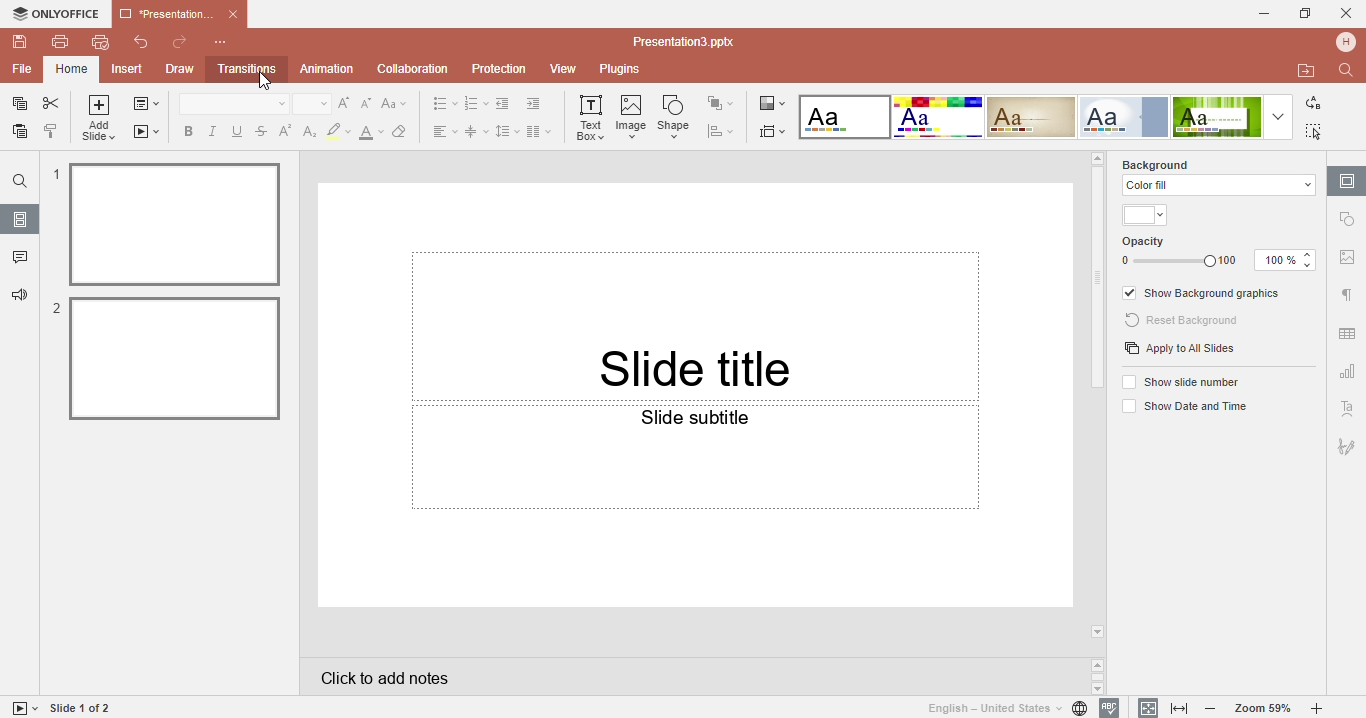 The width and height of the screenshot is (1366, 718). Describe the element at coordinates (19, 259) in the screenshot. I see `Comments` at that location.